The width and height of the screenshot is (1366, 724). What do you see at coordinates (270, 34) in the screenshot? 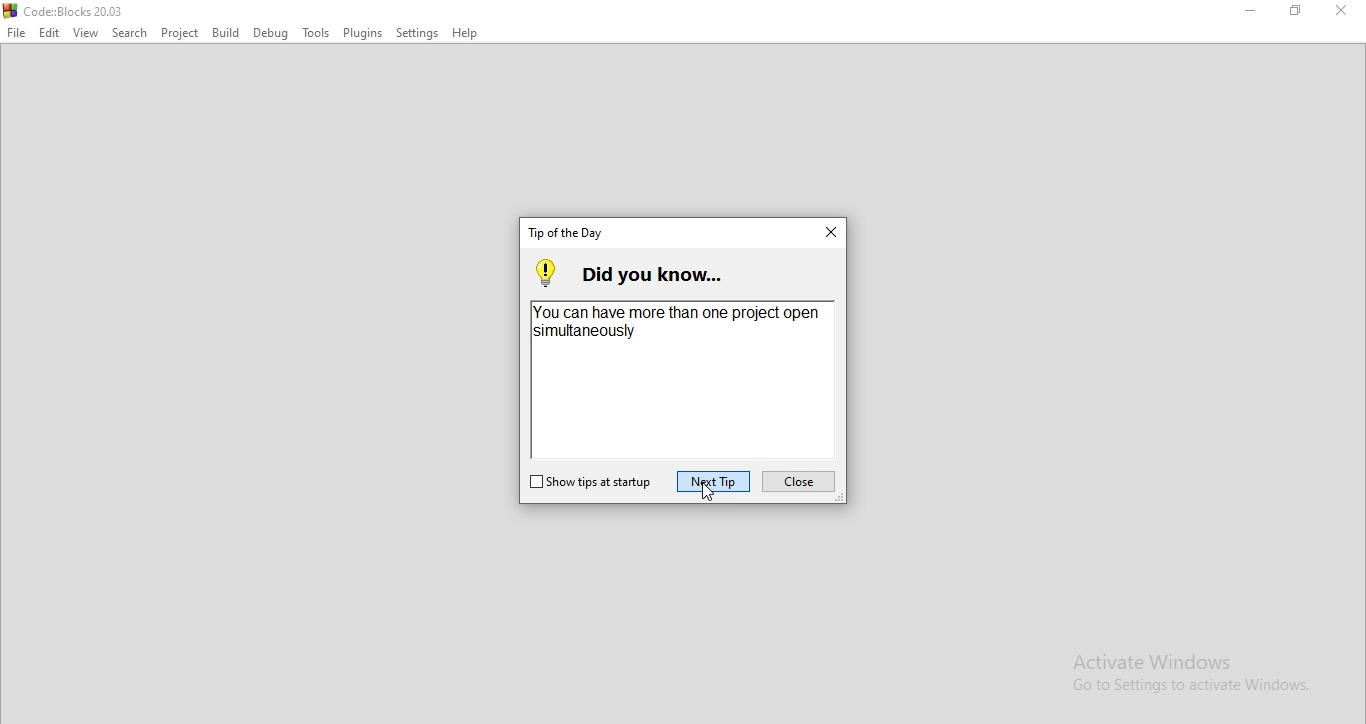
I see `Debug ` at bounding box center [270, 34].